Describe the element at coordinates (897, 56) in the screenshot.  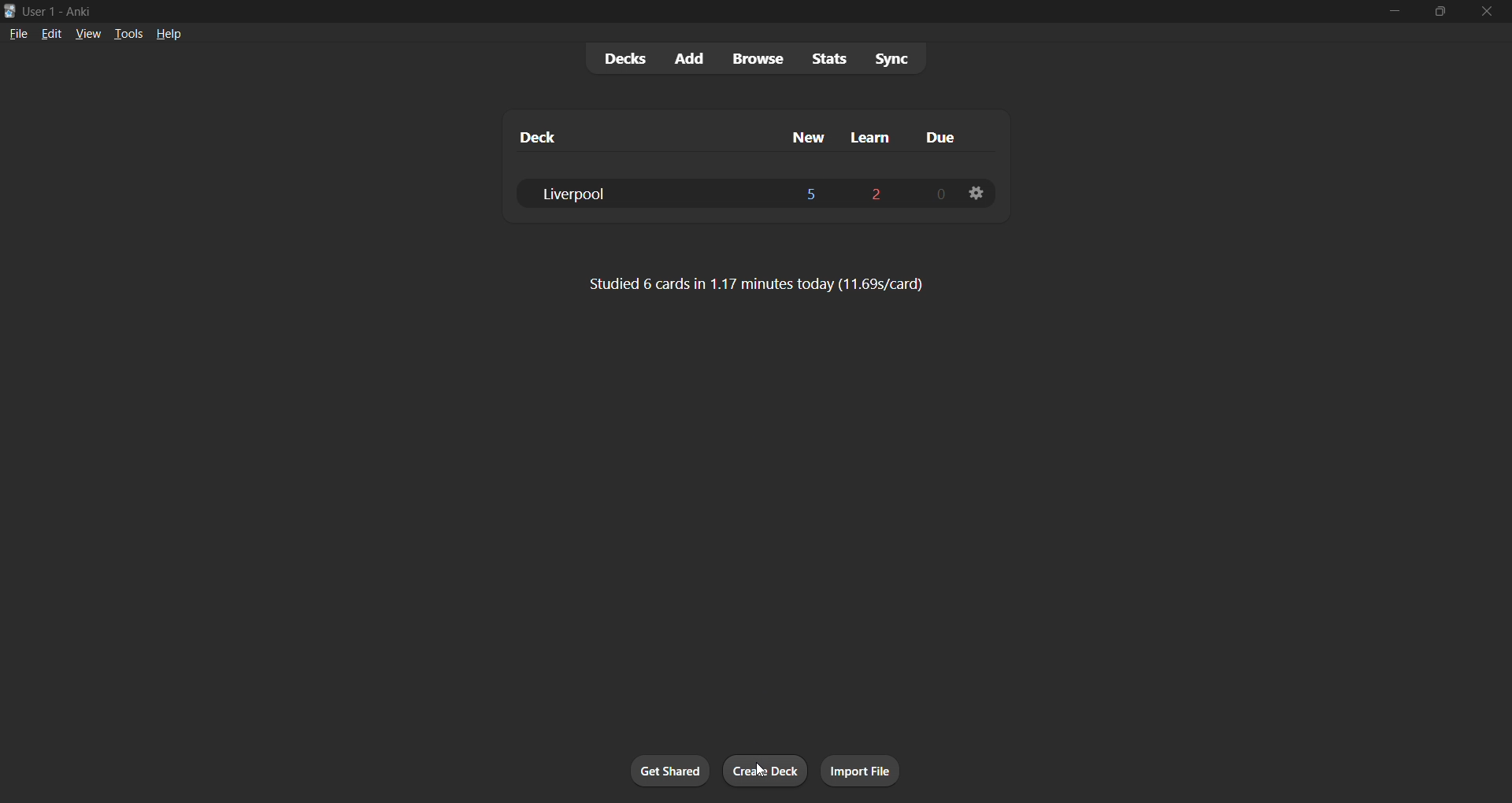
I see `sync` at that location.